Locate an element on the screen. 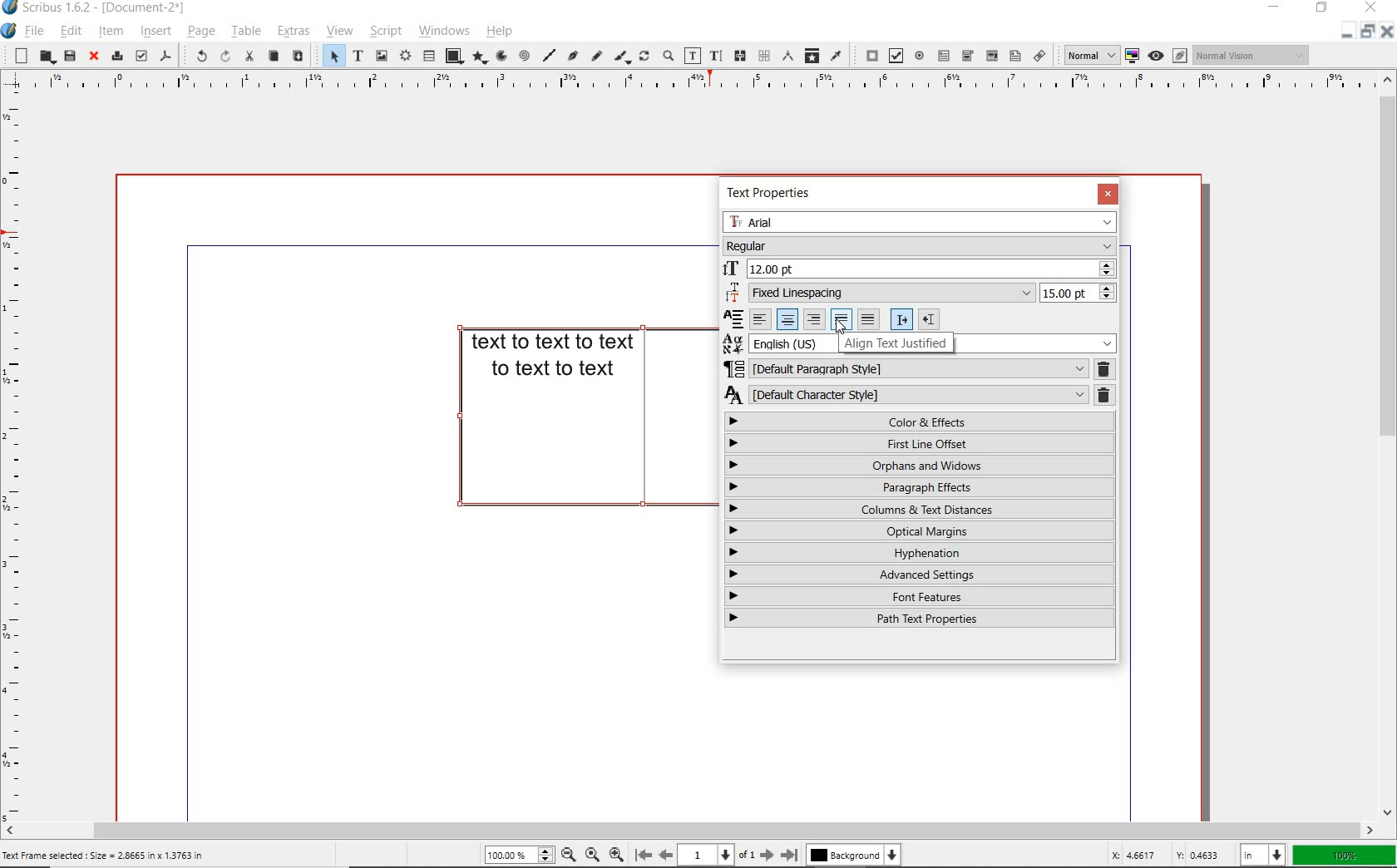 The width and height of the screenshot is (1397, 868). save is located at coordinates (68, 57).